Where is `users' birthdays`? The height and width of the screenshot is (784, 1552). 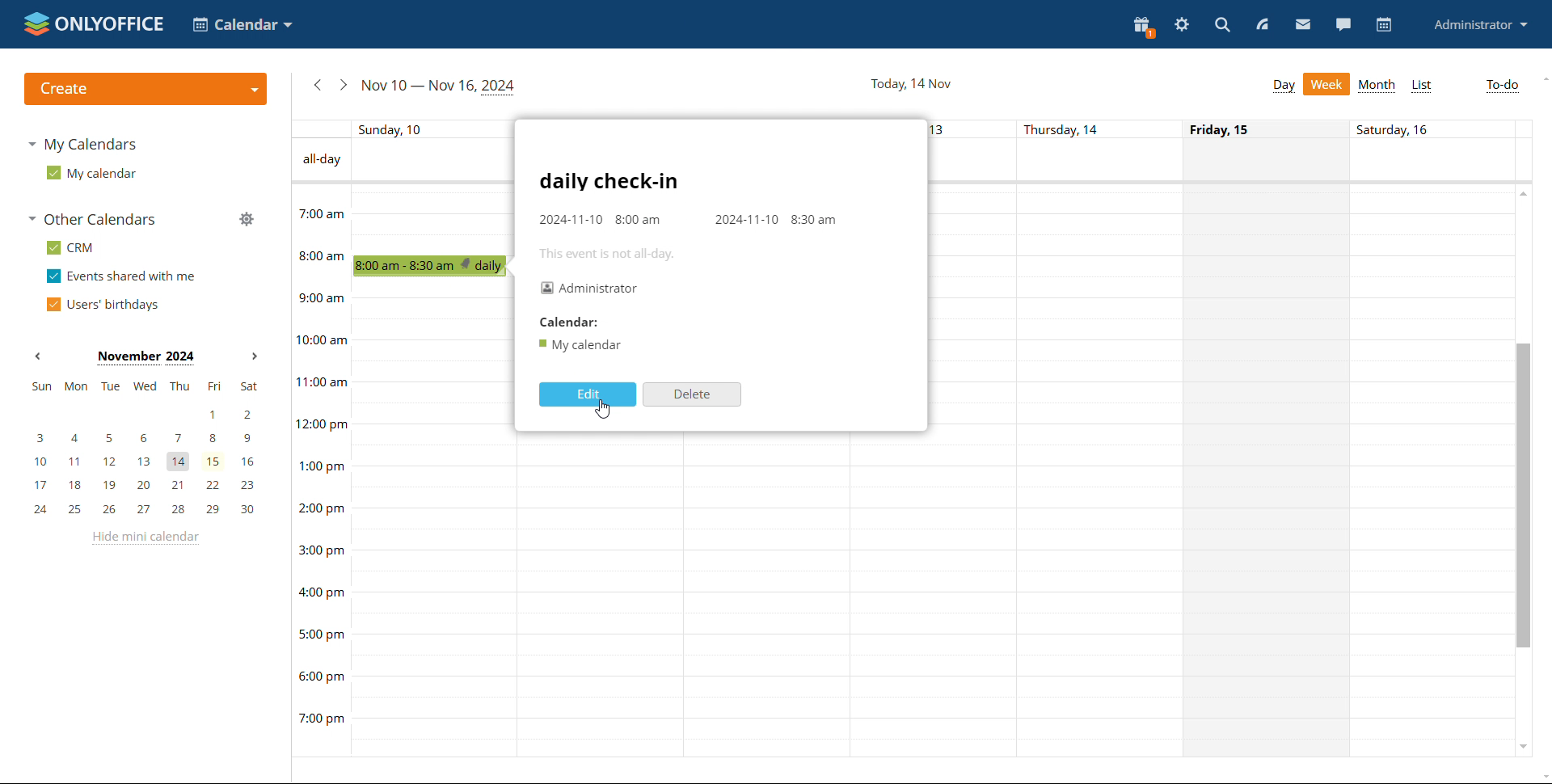
users' birthdays is located at coordinates (102, 304).